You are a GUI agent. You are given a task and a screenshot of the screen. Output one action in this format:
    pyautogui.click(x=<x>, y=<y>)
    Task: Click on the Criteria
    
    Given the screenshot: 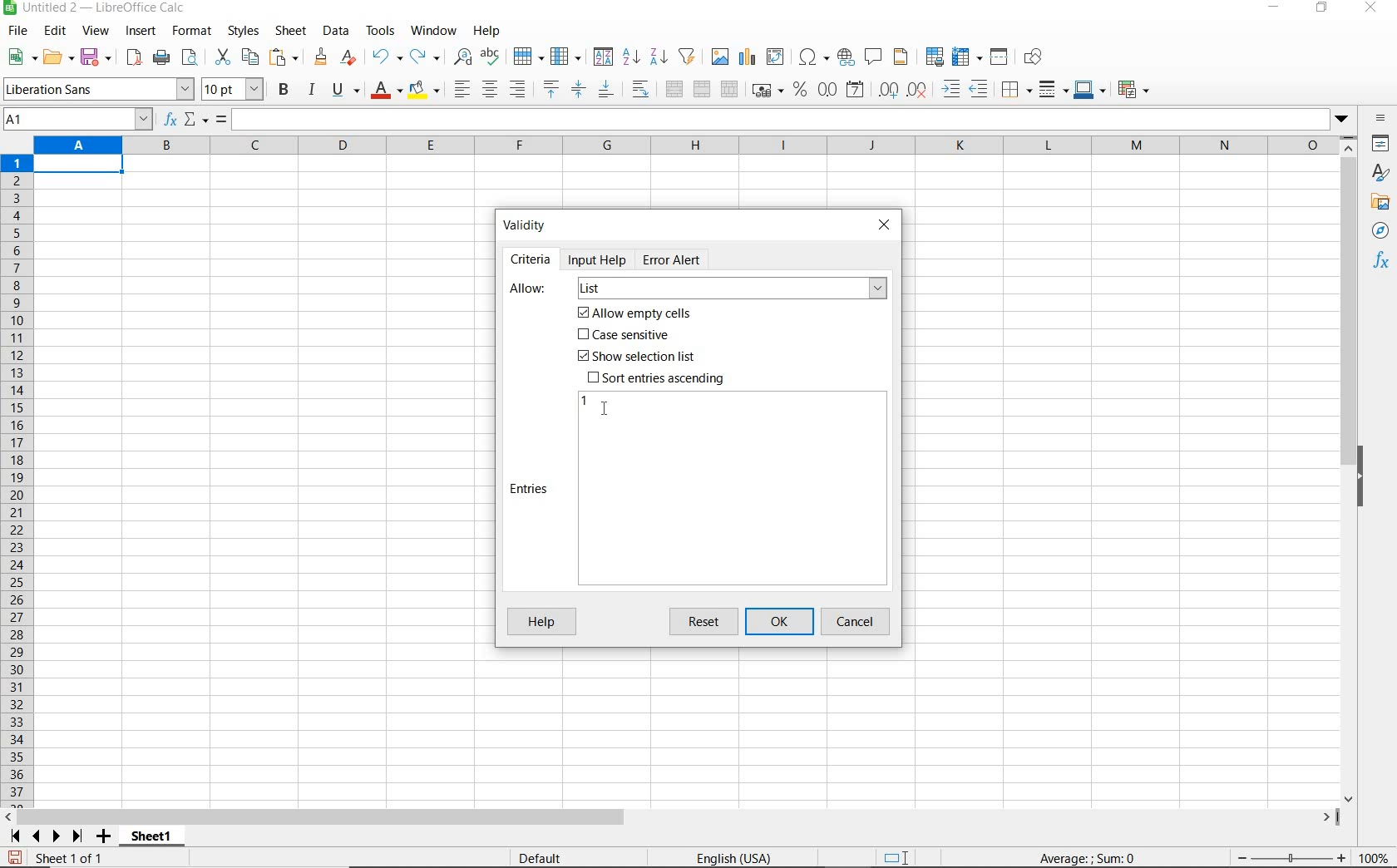 What is the action you would take?
    pyautogui.click(x=531, y=259)
    